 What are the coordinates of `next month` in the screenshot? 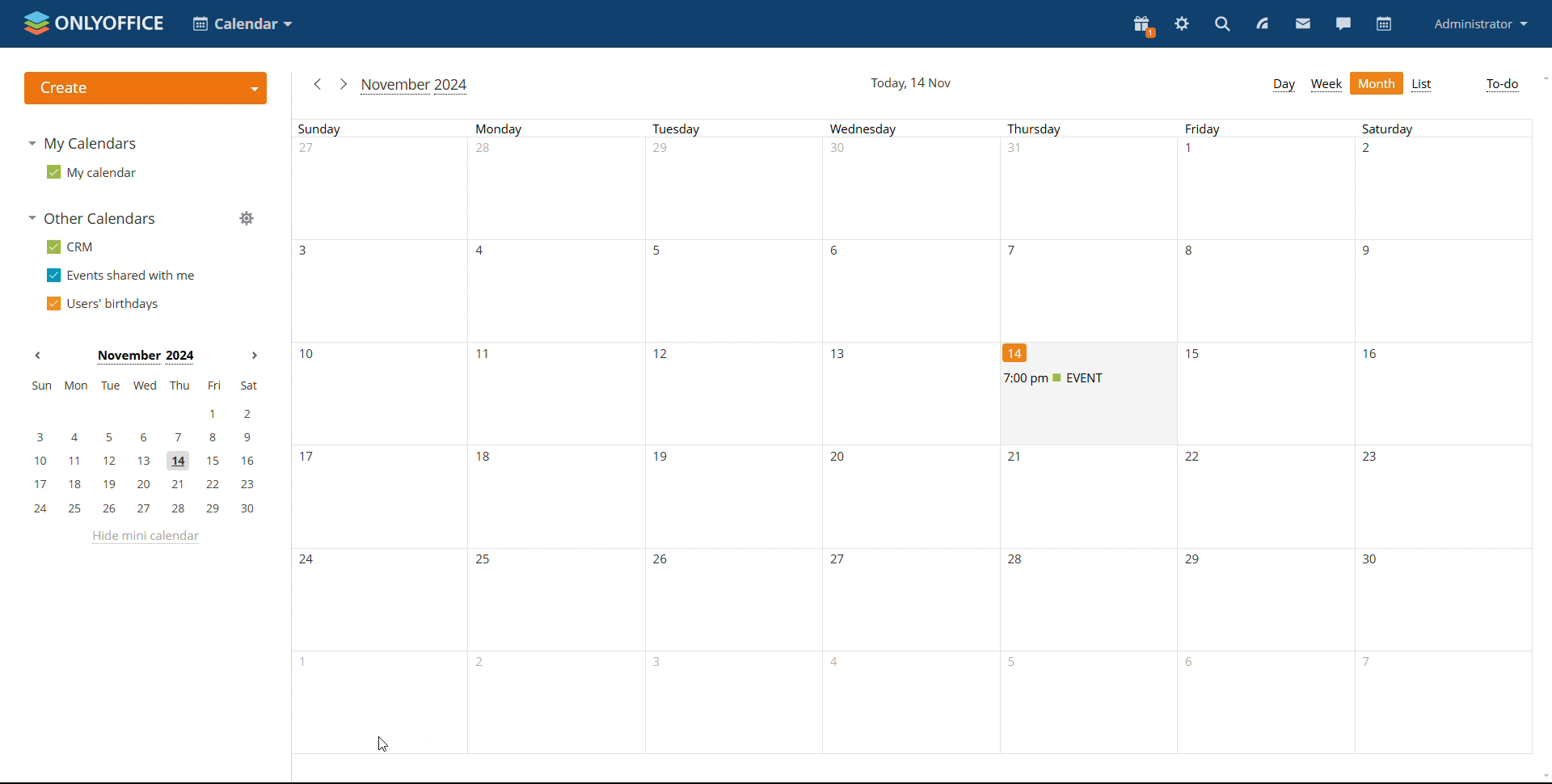 It's located at (342, 83).